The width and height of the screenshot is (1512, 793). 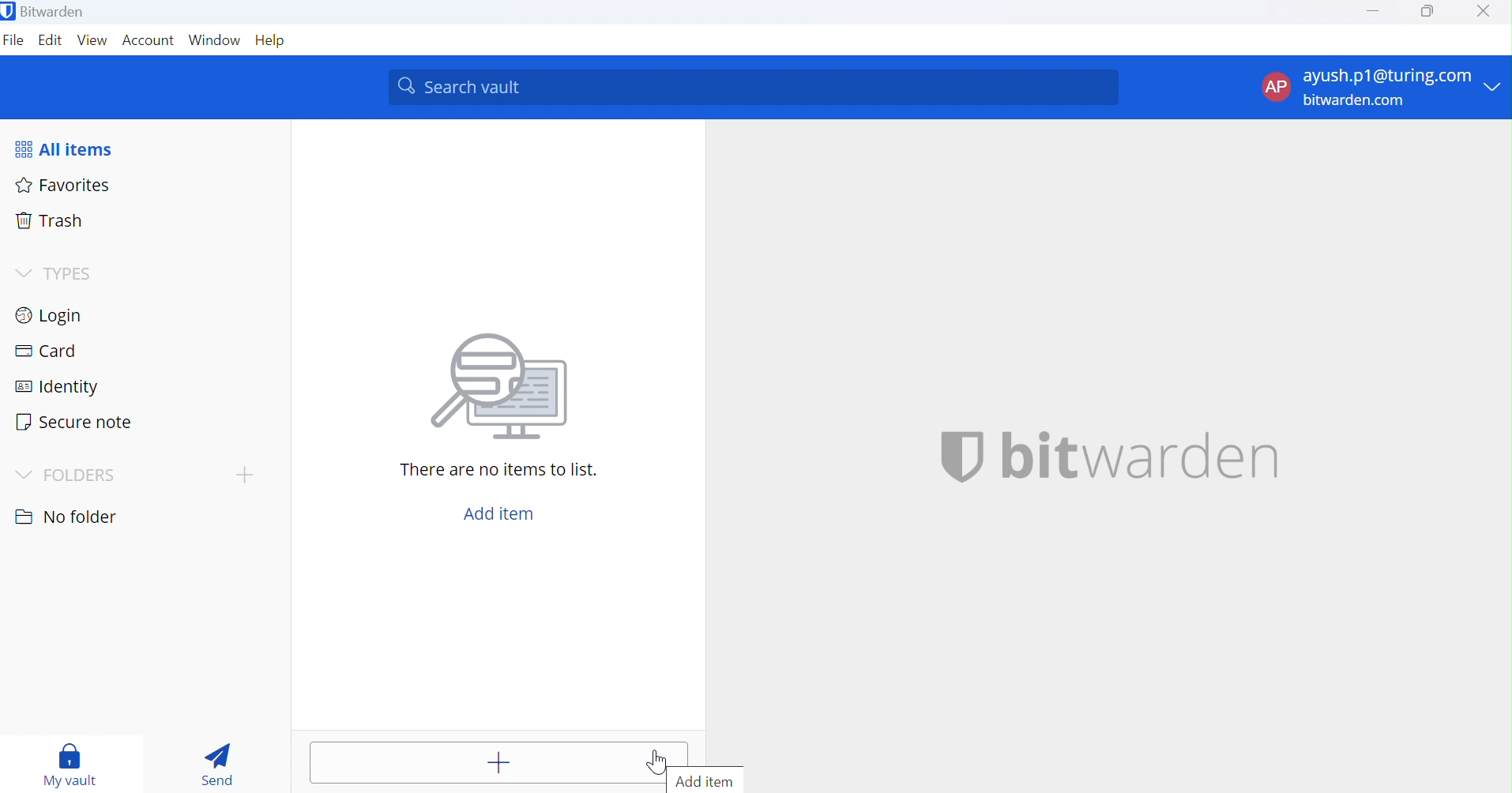 What do you see at coordinates (47, 352) in the screenshot?
I see `Card` at bounding box center [47, 352].